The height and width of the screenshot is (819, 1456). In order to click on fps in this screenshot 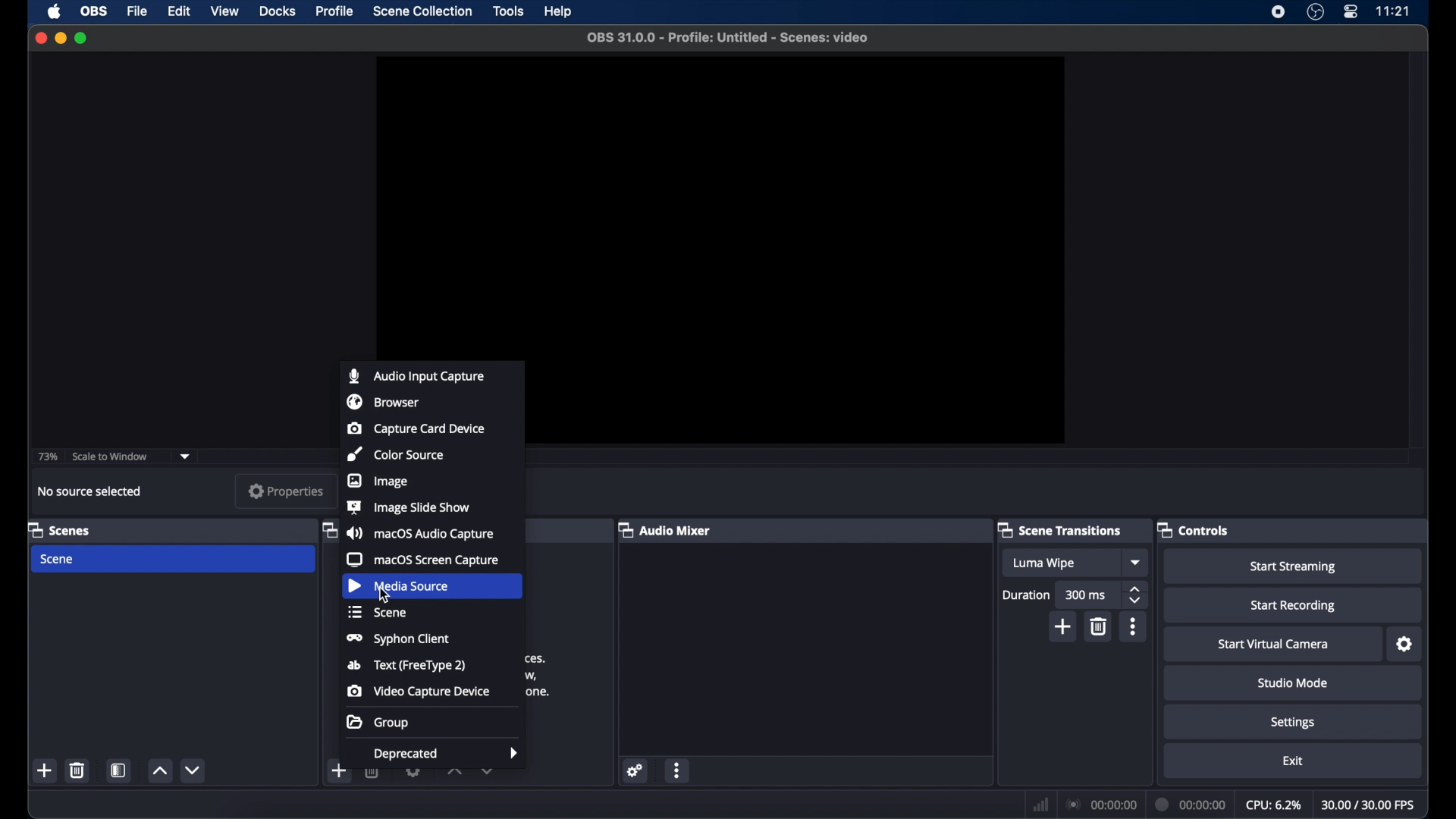, I will do `click(1368, 805)`.